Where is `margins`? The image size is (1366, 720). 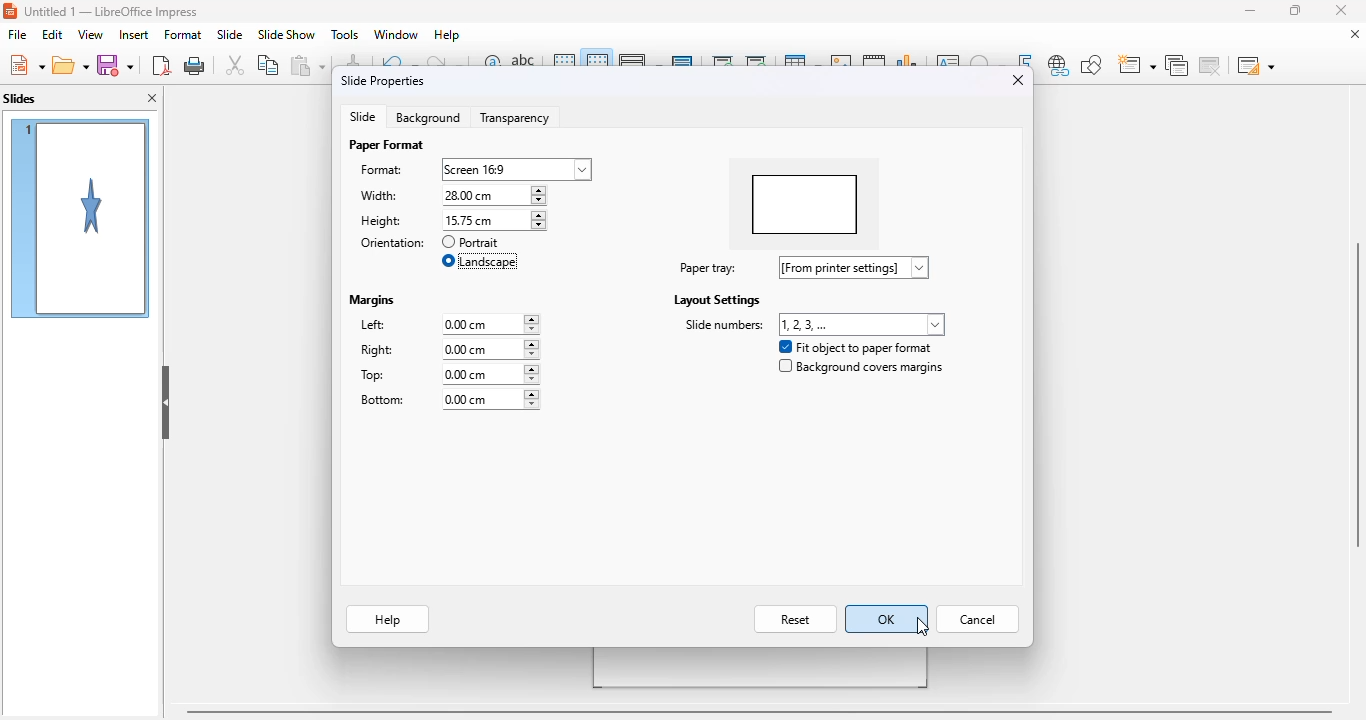 margins is located at coordinates (373, 300).